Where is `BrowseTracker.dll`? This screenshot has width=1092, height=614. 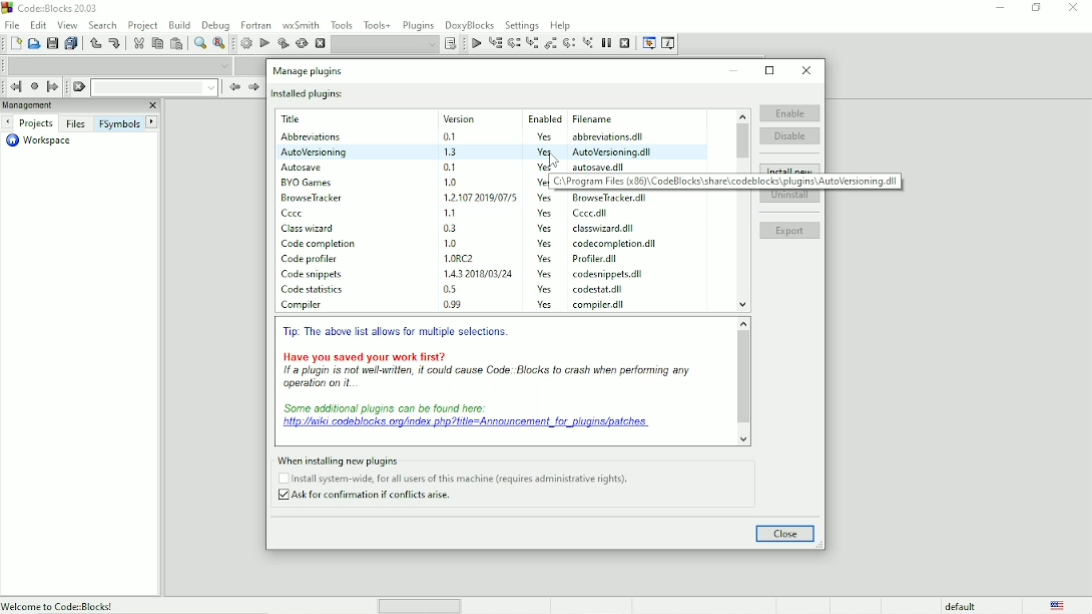
BrowseTracker.dll is located at coordinates (605, 198).